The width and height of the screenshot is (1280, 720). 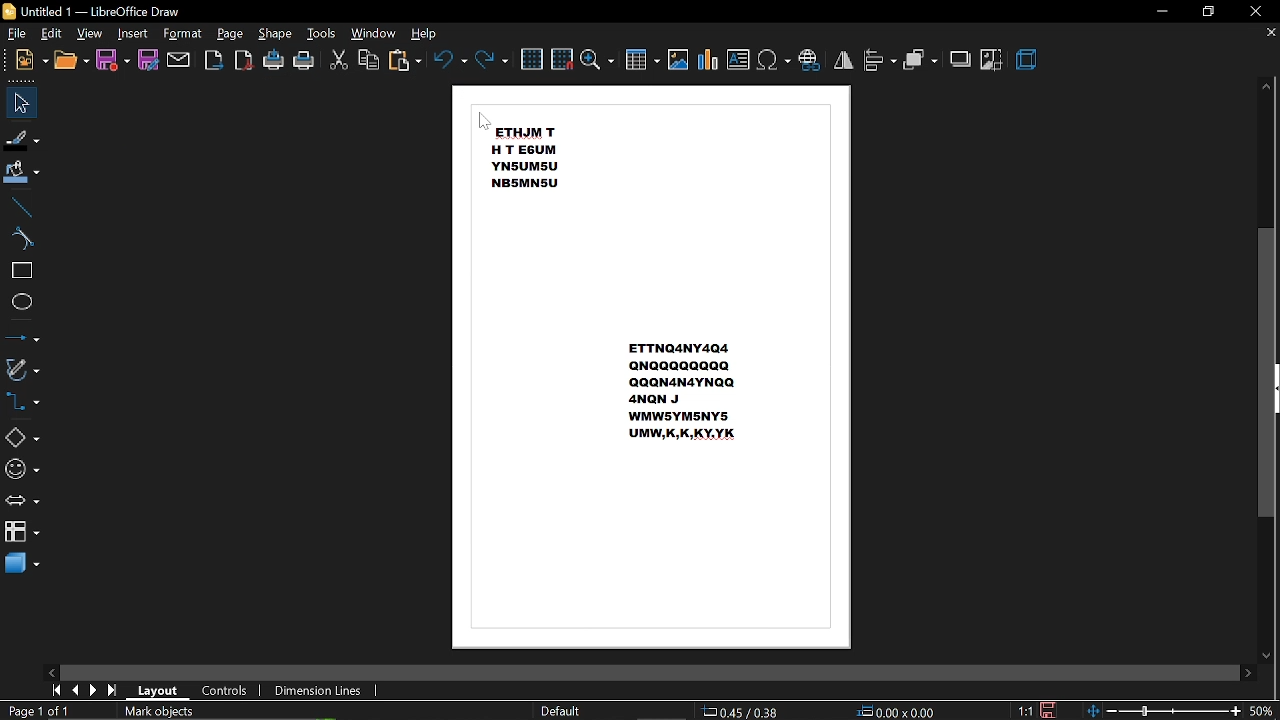 What do you see at coordinates (22, 469) in the screenshot?
I see `symbol shapes` at bounding box center [22, 469].